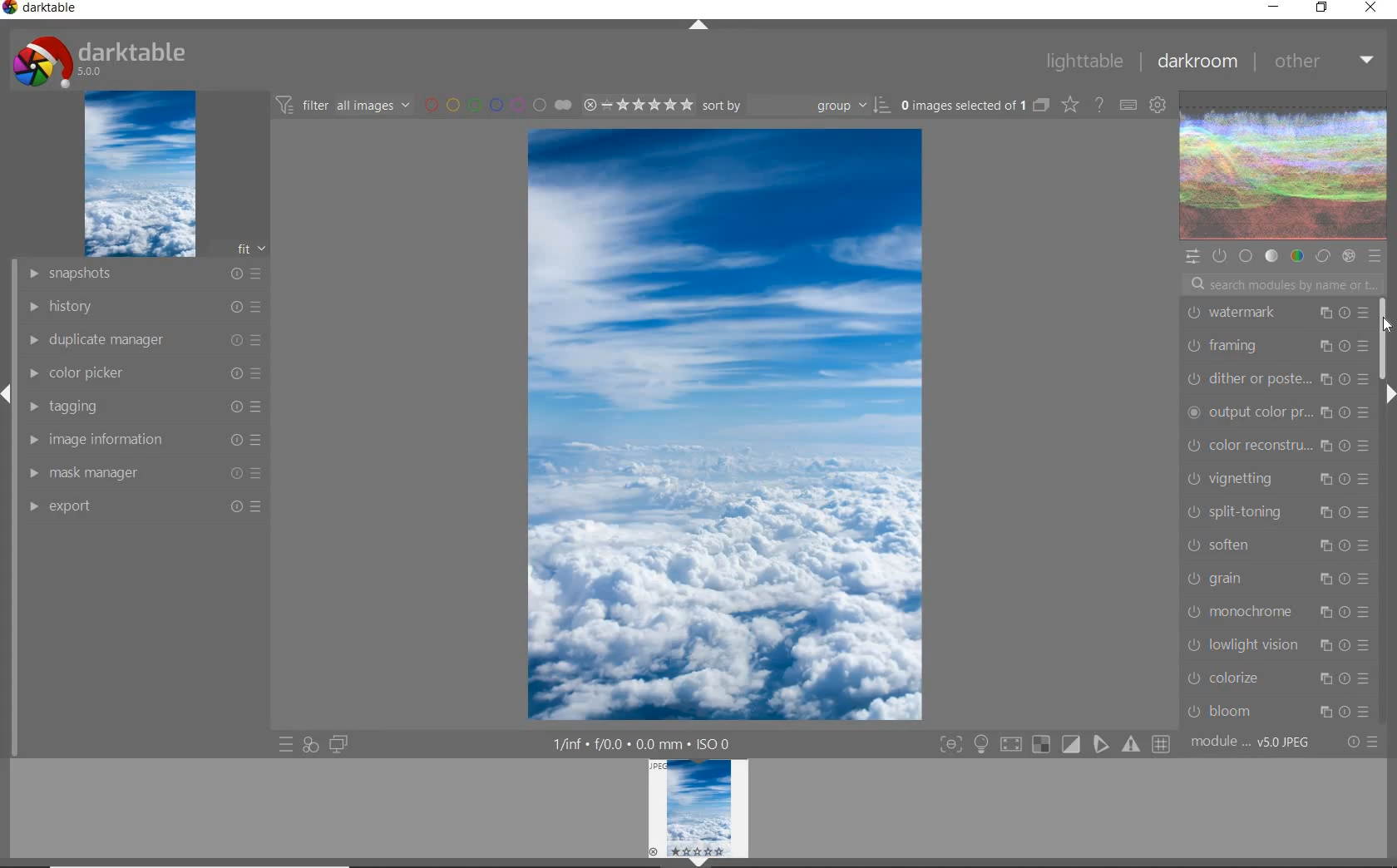  What do you see at coordinates (1276, 377) in the screenshot?
I see `DITHER OR PASTE` at bounding box center [1276, 377].